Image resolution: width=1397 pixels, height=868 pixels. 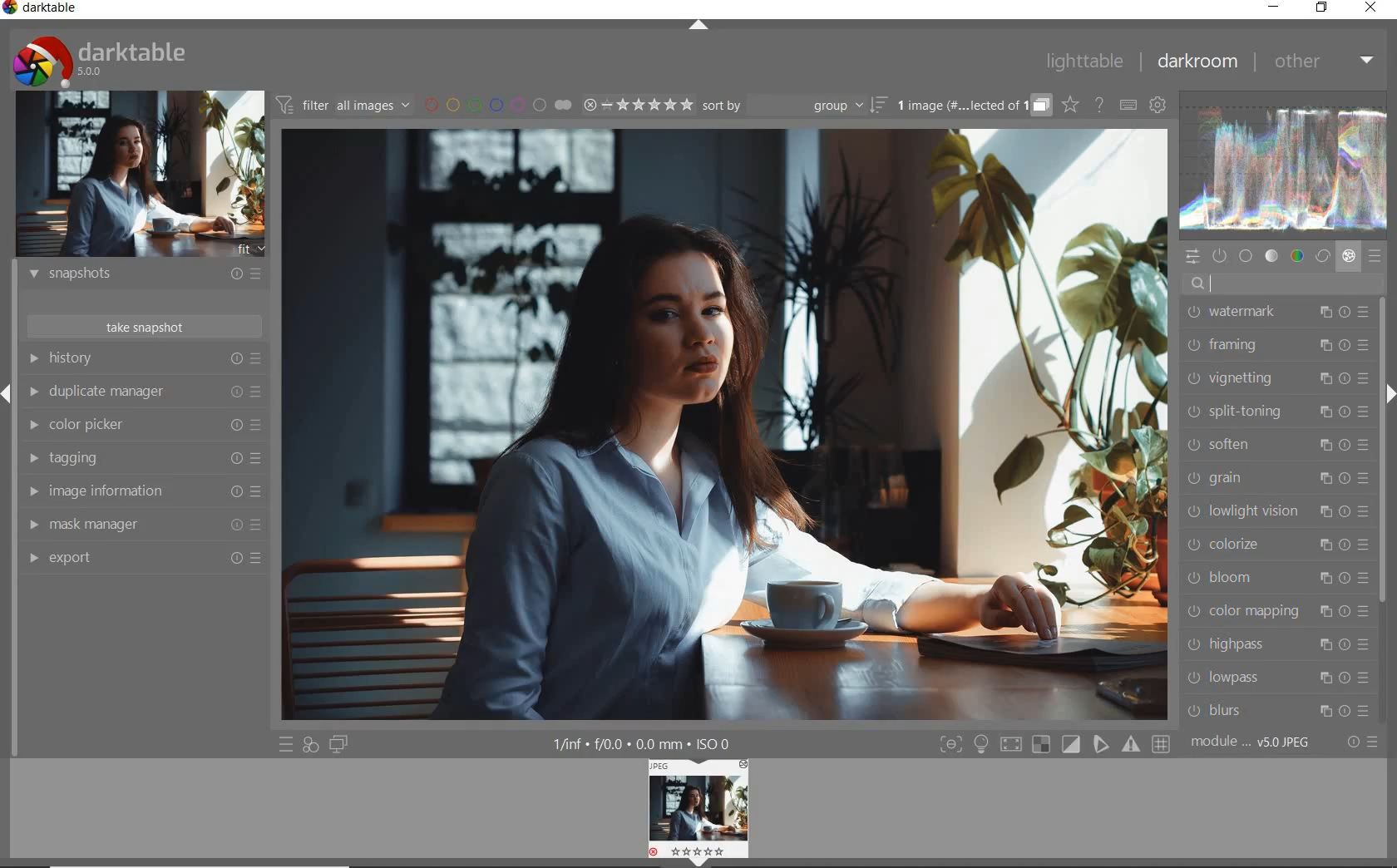 What do you see at coordinates (794, 106) in the screenshot?
I see `sort` at bounding box center [794, 106].